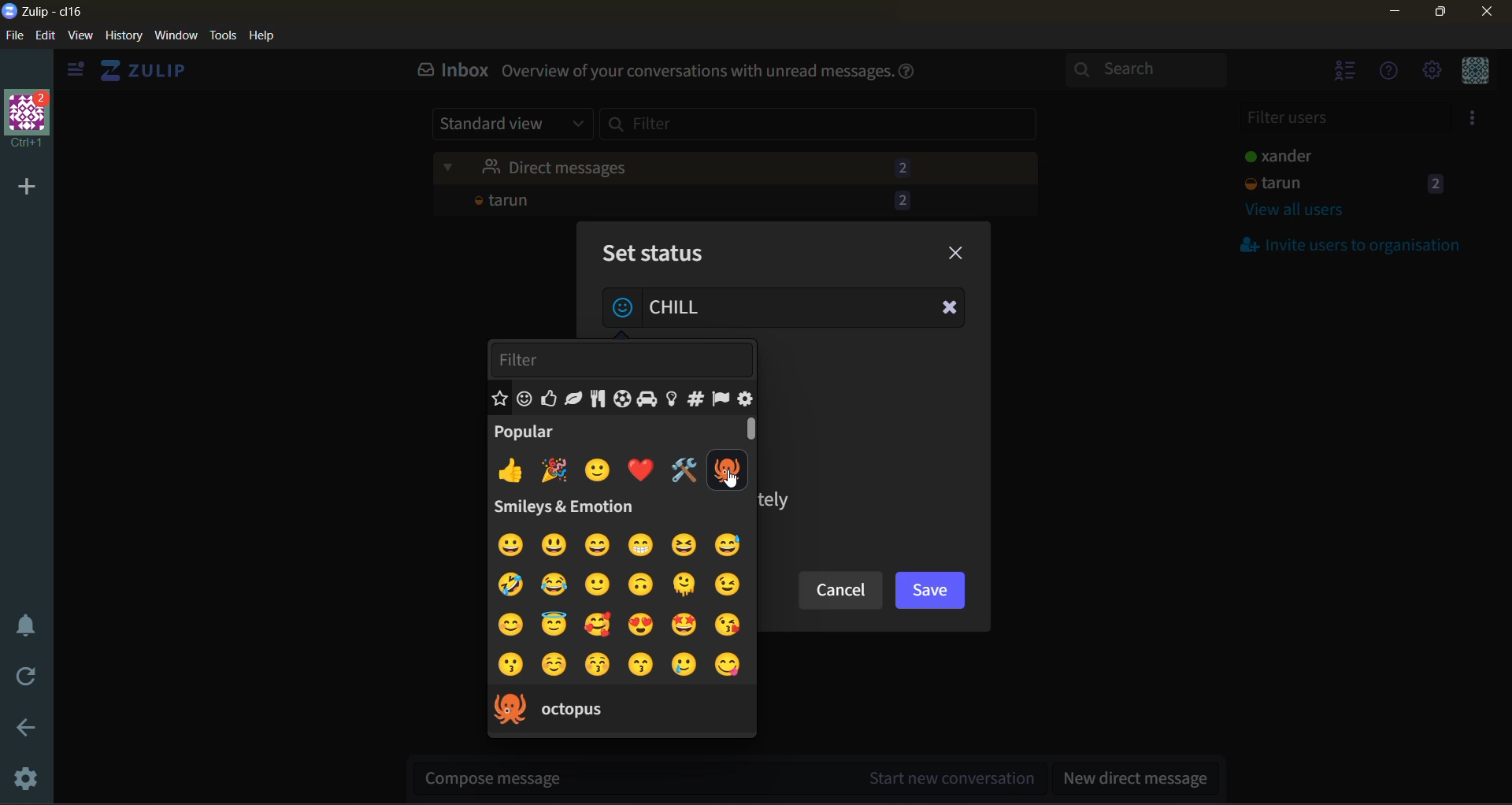 This screenshot has width=1512, height=805. Describe the element at coordinates (732, 774) in the screenshot. I see `start new conversation` at that location.